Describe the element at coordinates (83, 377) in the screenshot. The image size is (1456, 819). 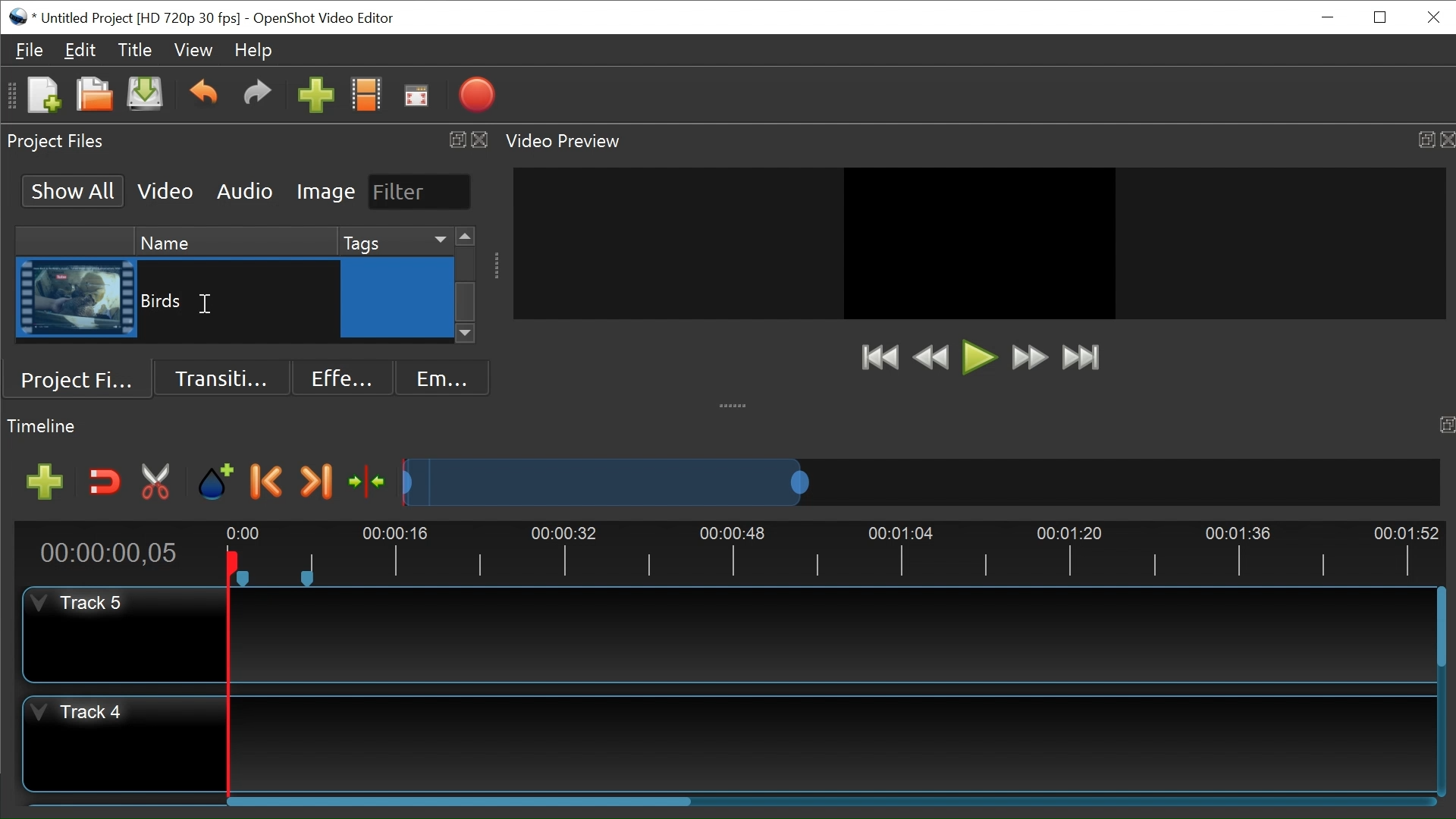
I see `Project Files` at that location.